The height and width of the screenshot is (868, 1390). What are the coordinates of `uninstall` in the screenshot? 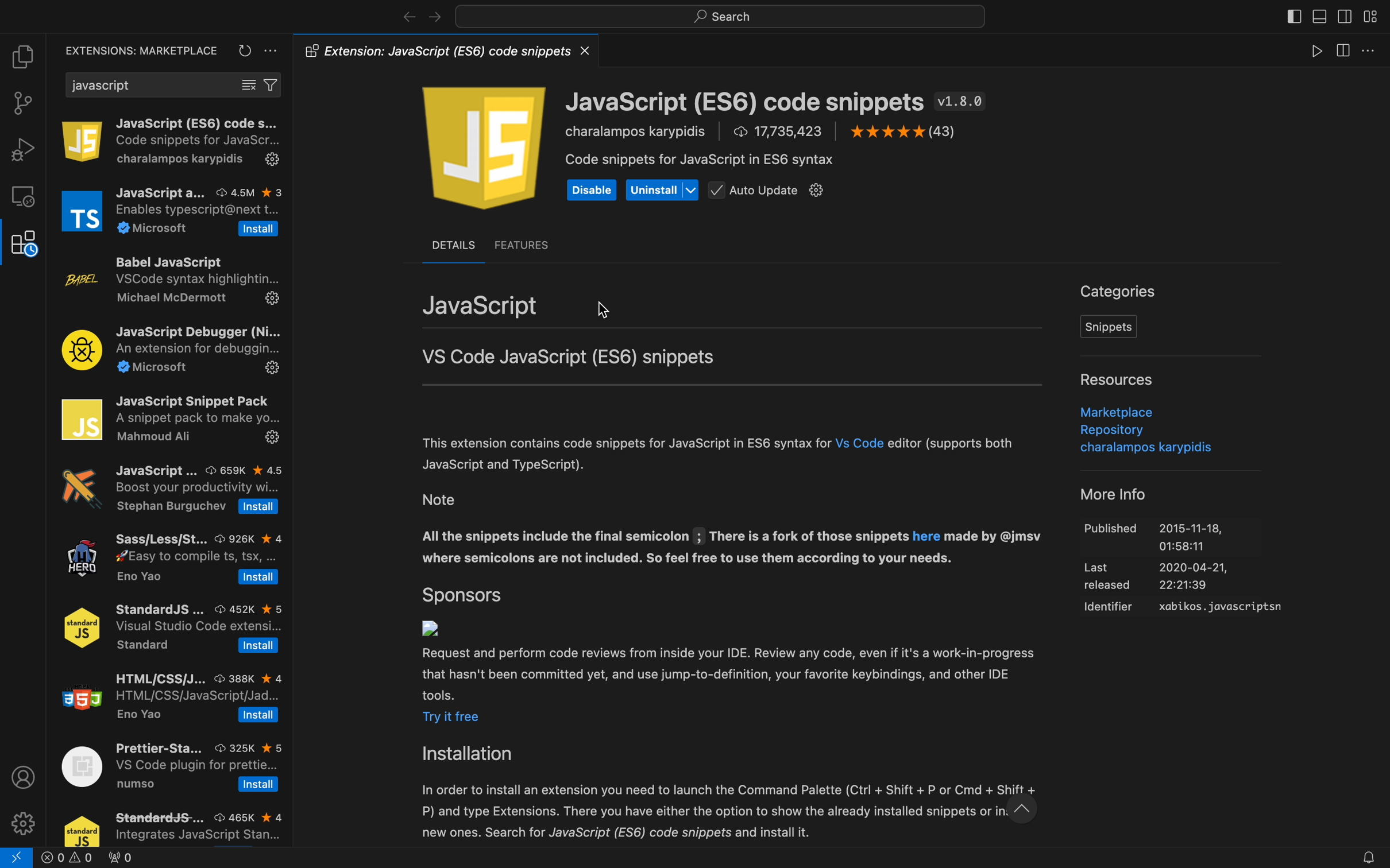 It's located at (662, 189).